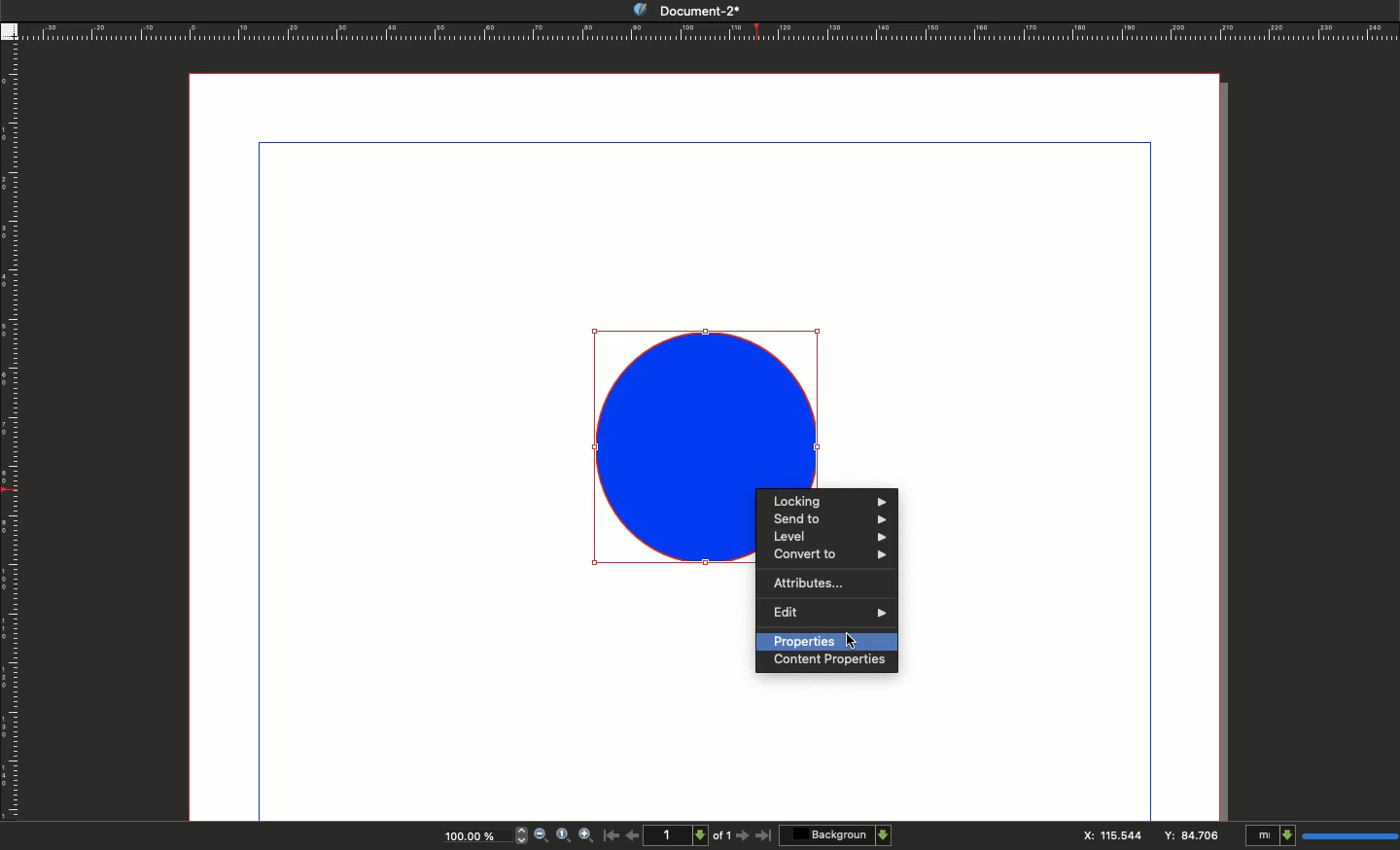 Image resolution: width=1400 pixels, height=850 pixels. Describe the element at coordinates (673, 10) in the screenshot. I see `Document-2*` at that location.